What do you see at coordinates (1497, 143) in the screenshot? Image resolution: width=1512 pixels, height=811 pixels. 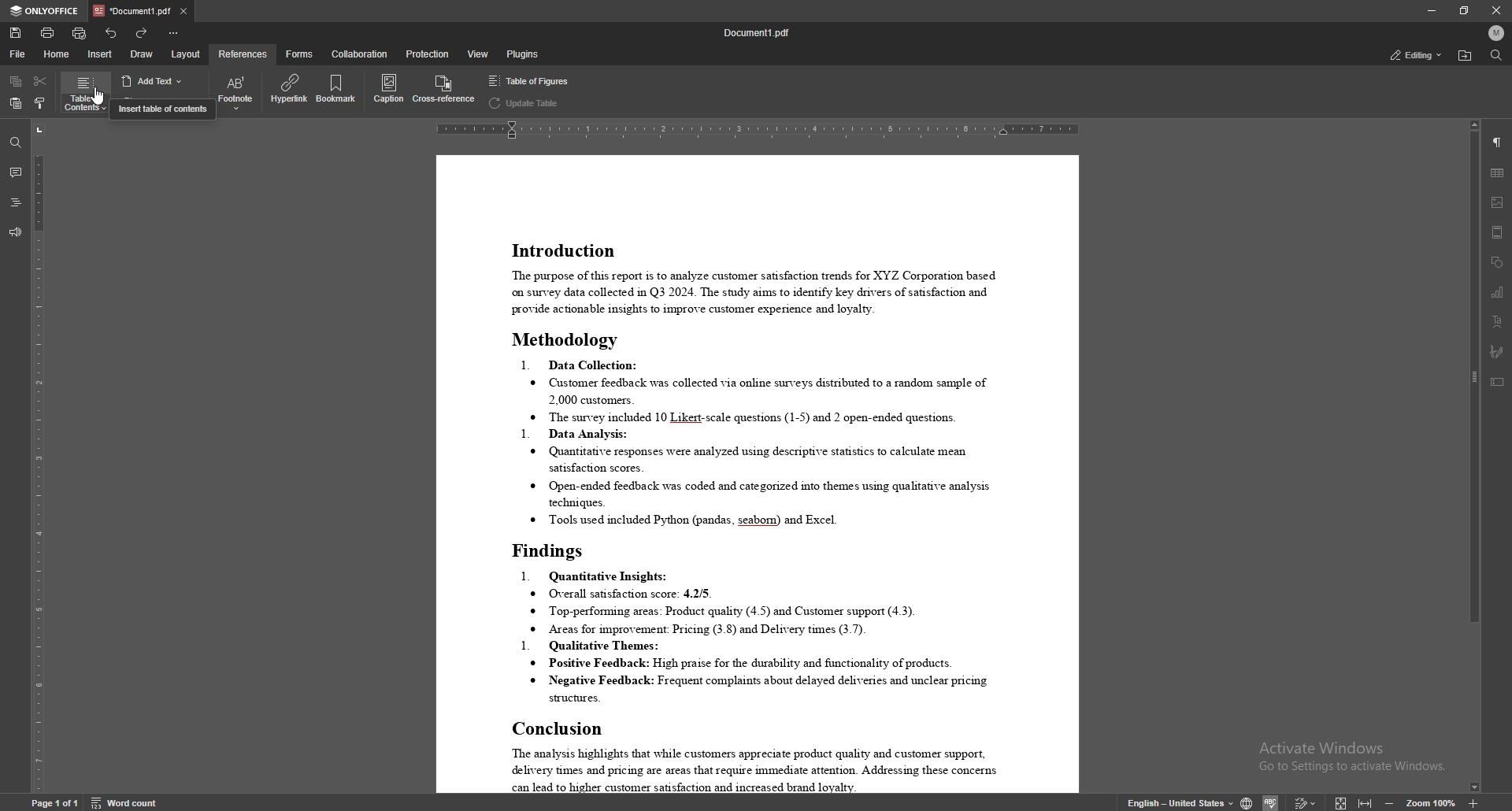 I see `paragraph` at bounding box center [1497, 143].